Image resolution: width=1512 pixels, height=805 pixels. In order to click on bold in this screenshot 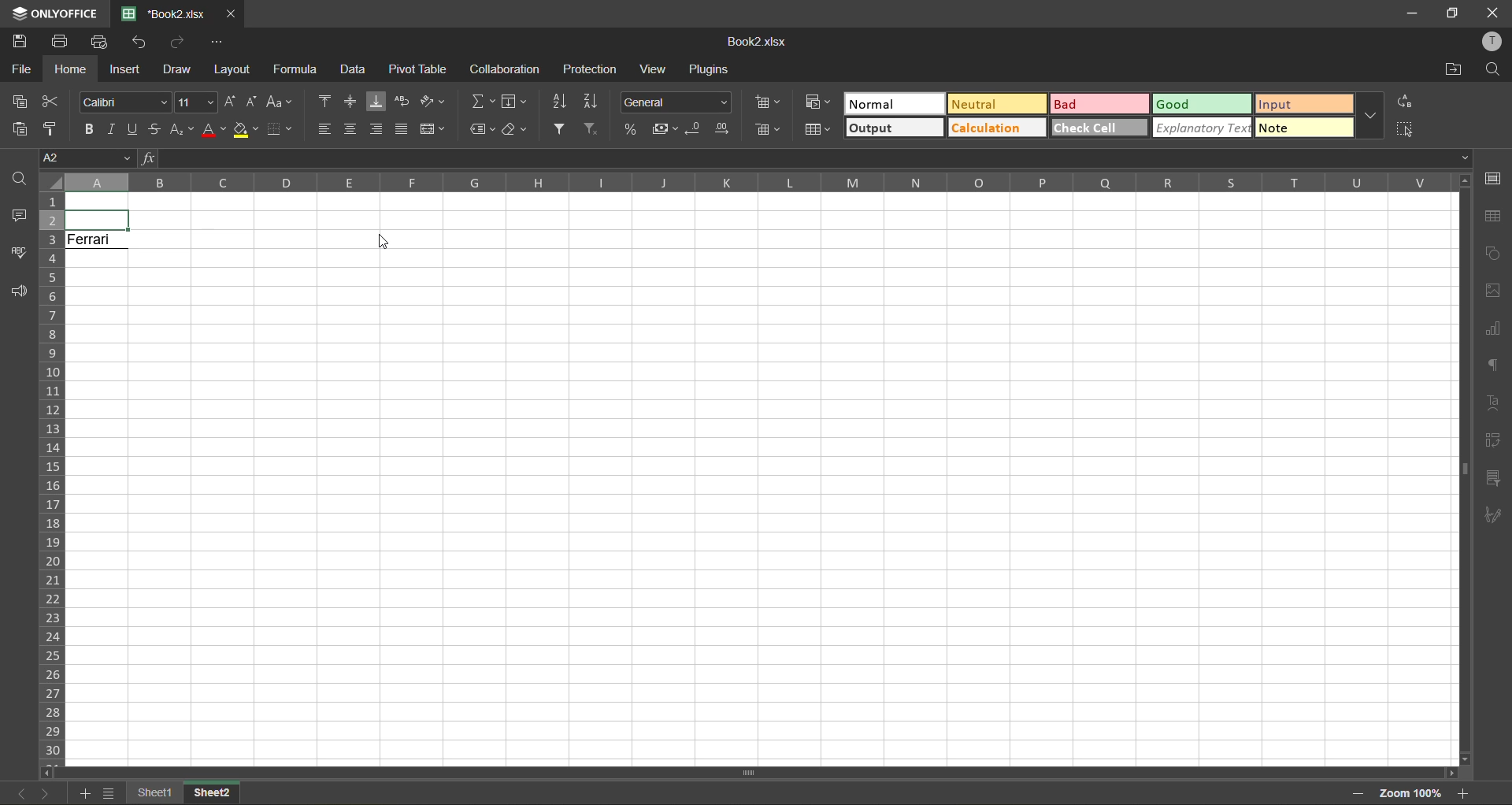, I will do `click(87, 129)`.